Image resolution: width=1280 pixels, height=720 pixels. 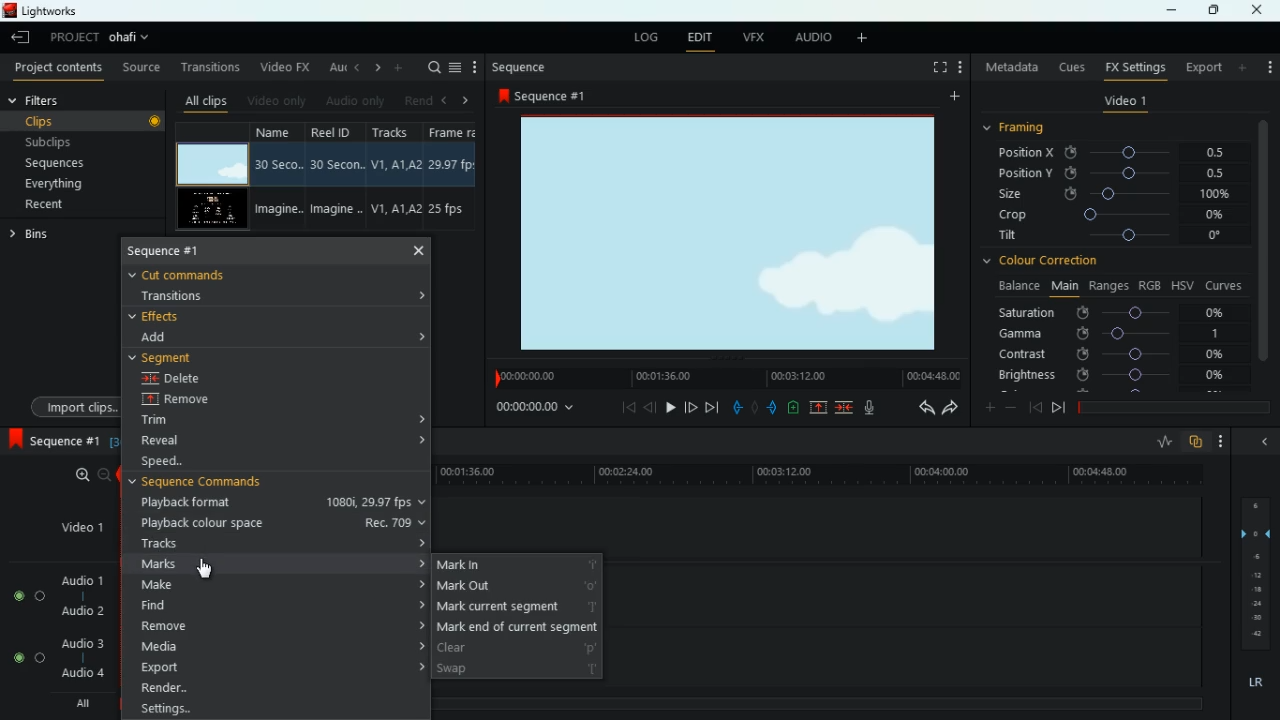 I want to click on brightness, so click(x=1110, y=374).